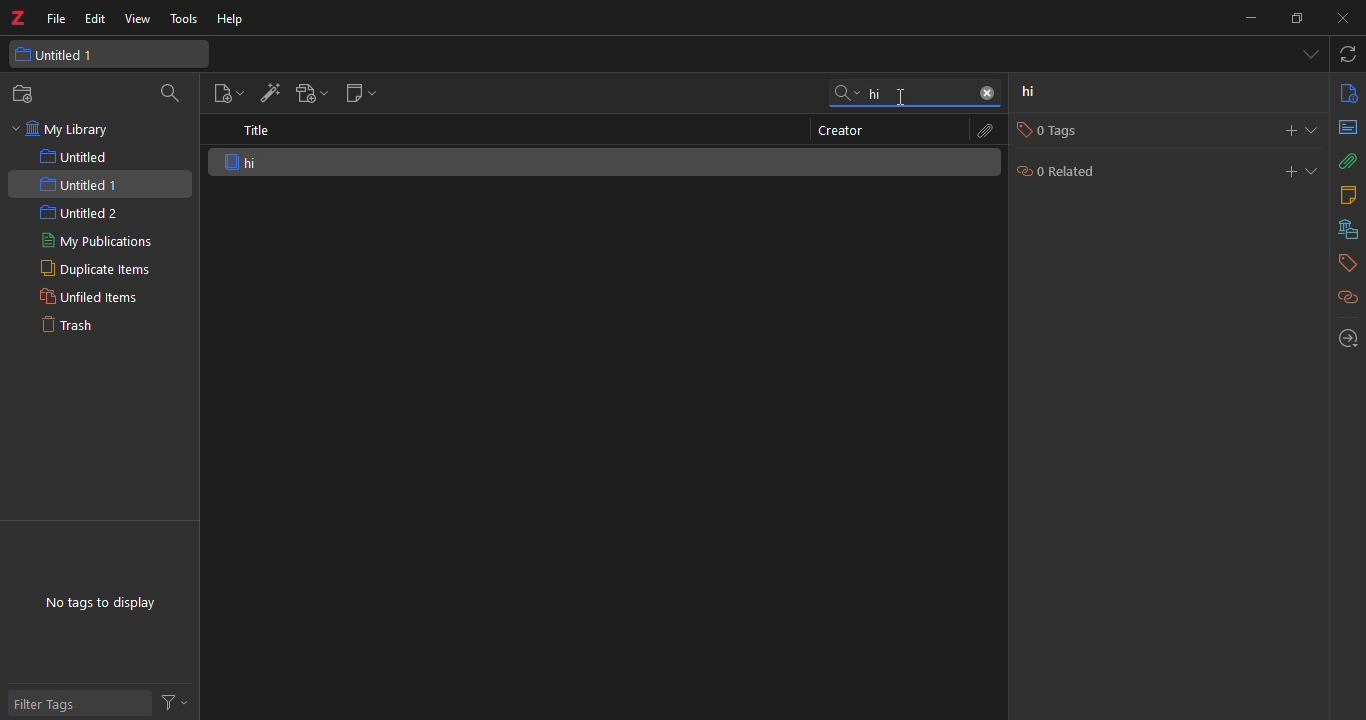  Describe the element at coordinates (1349, 127) in the screenshot. I see `abstract` at that location.